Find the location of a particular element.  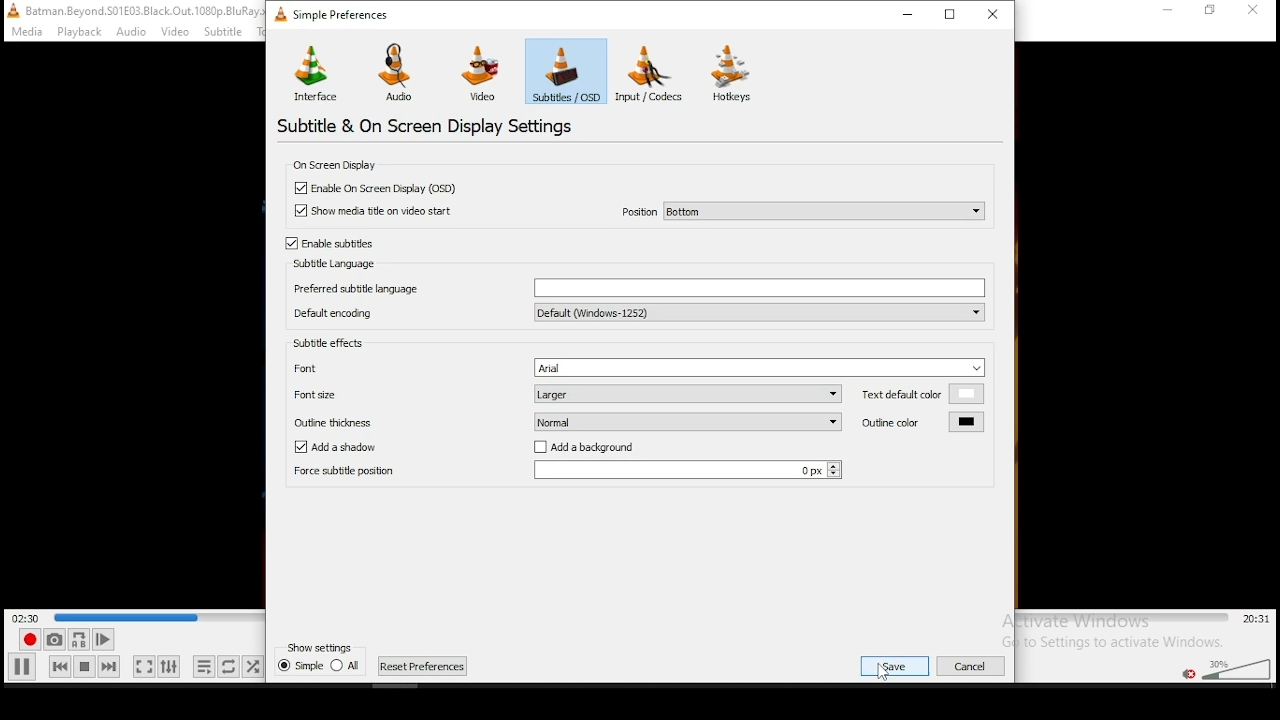

close window is located at coordinates (1255, 12).